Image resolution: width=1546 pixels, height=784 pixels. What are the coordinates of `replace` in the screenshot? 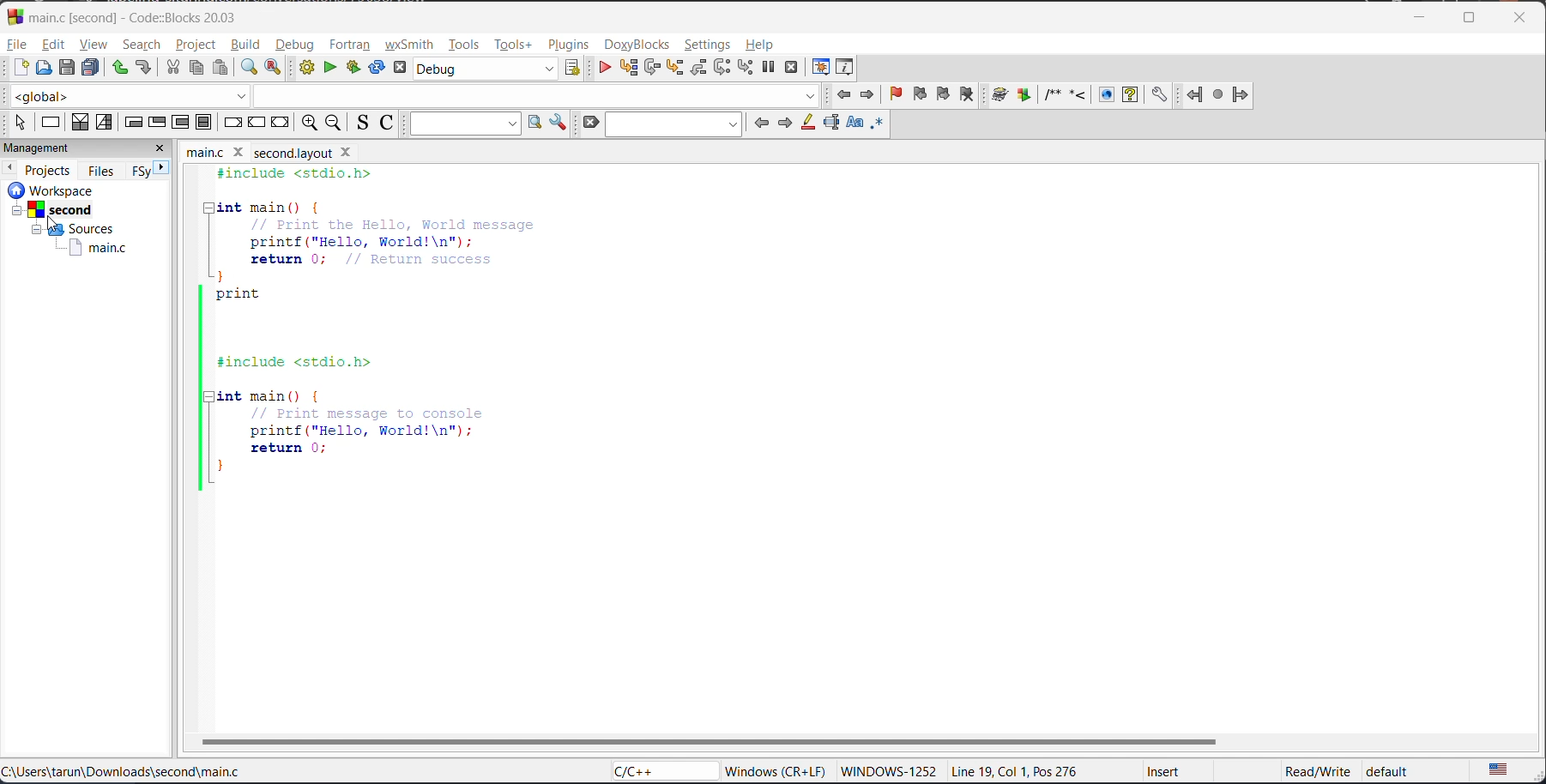 It's located at (274, 67).